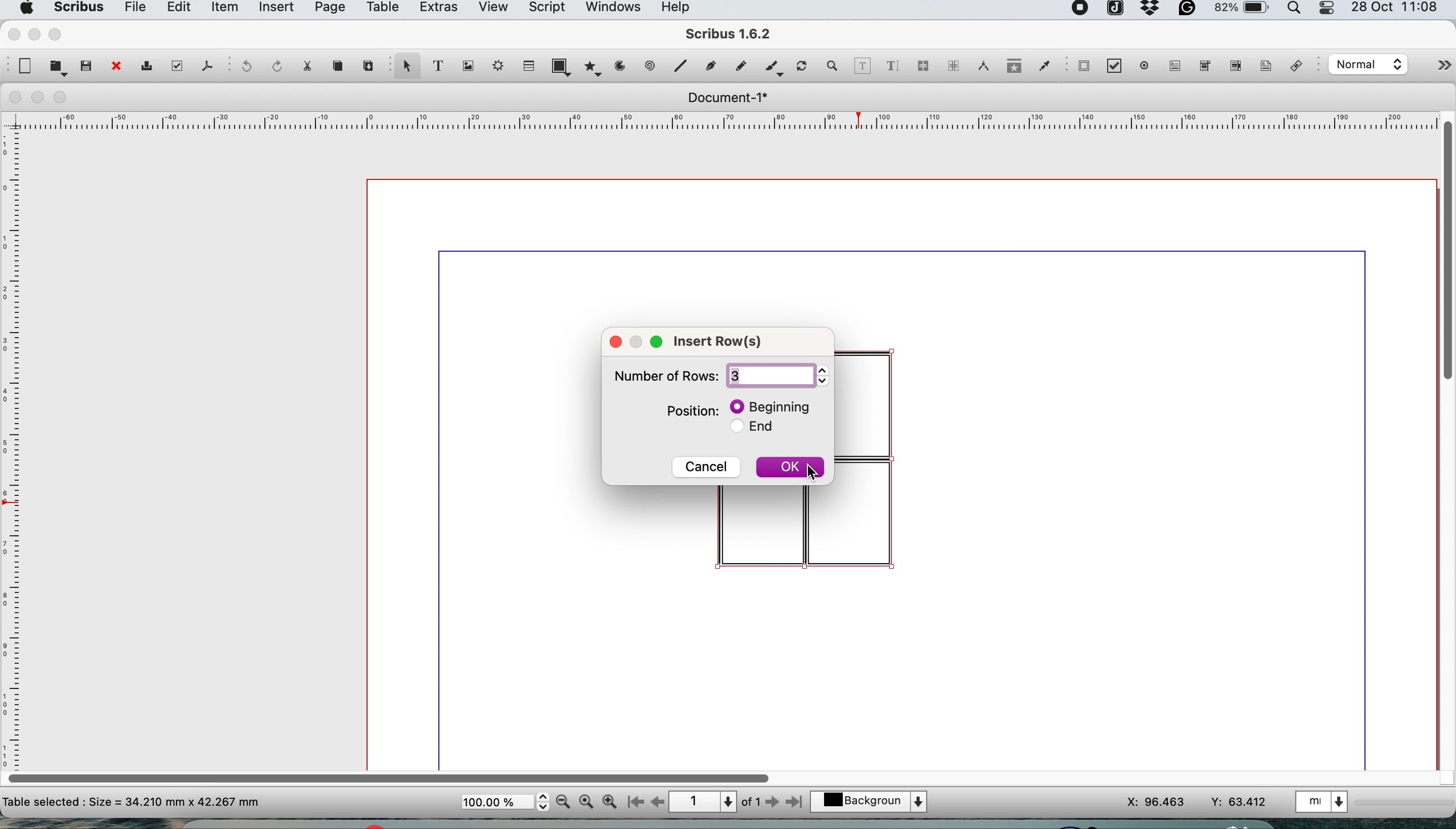 This screenshot has height=829, width=1456. I want to click on text, so click(132, 801).